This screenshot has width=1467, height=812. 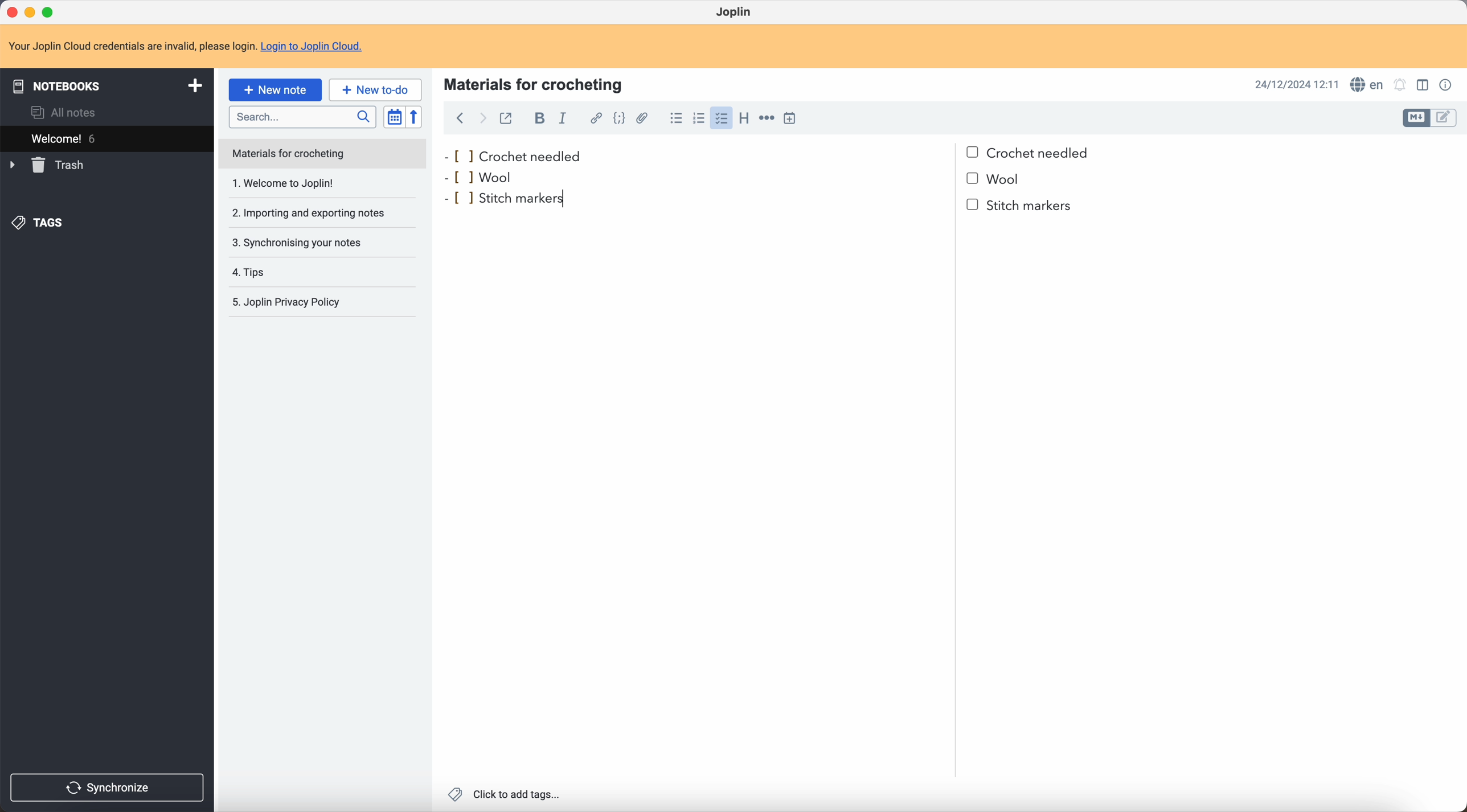 I want to click on synchronize, so click(x=108, y=788).